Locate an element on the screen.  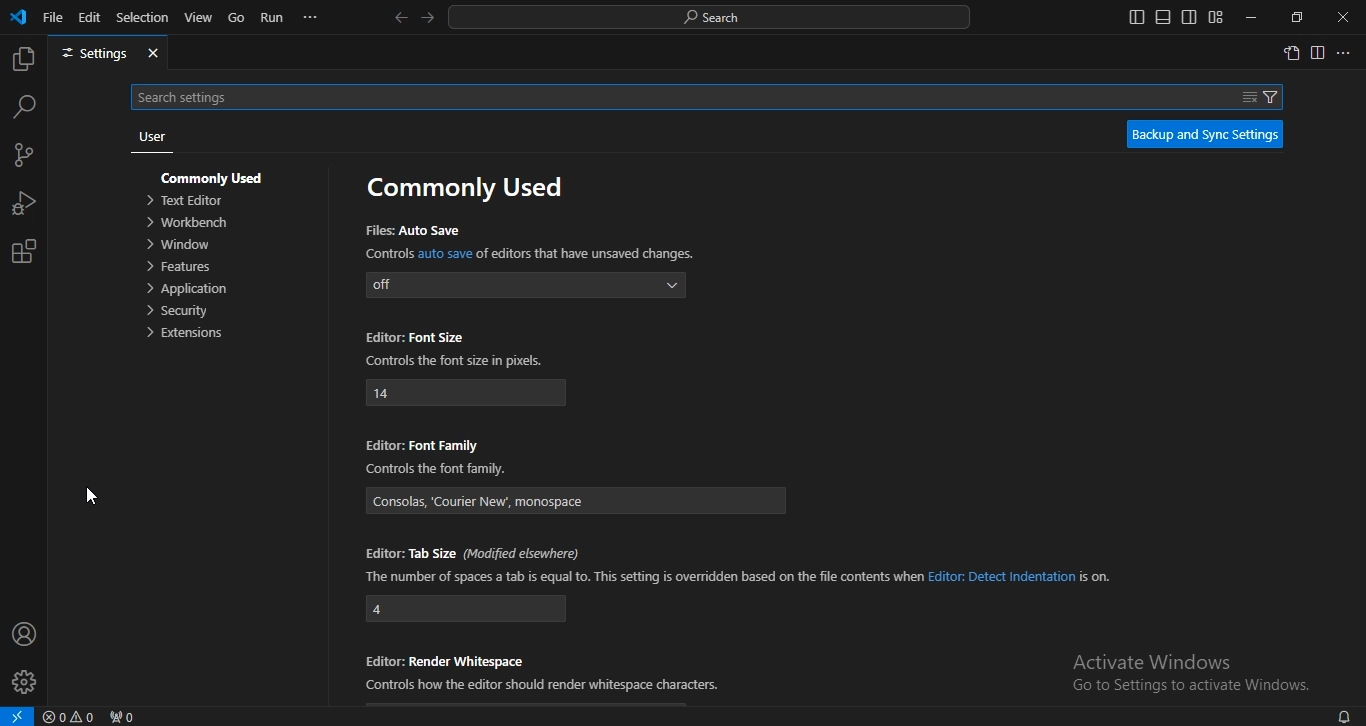
manage is located at coordinates (26, 684).